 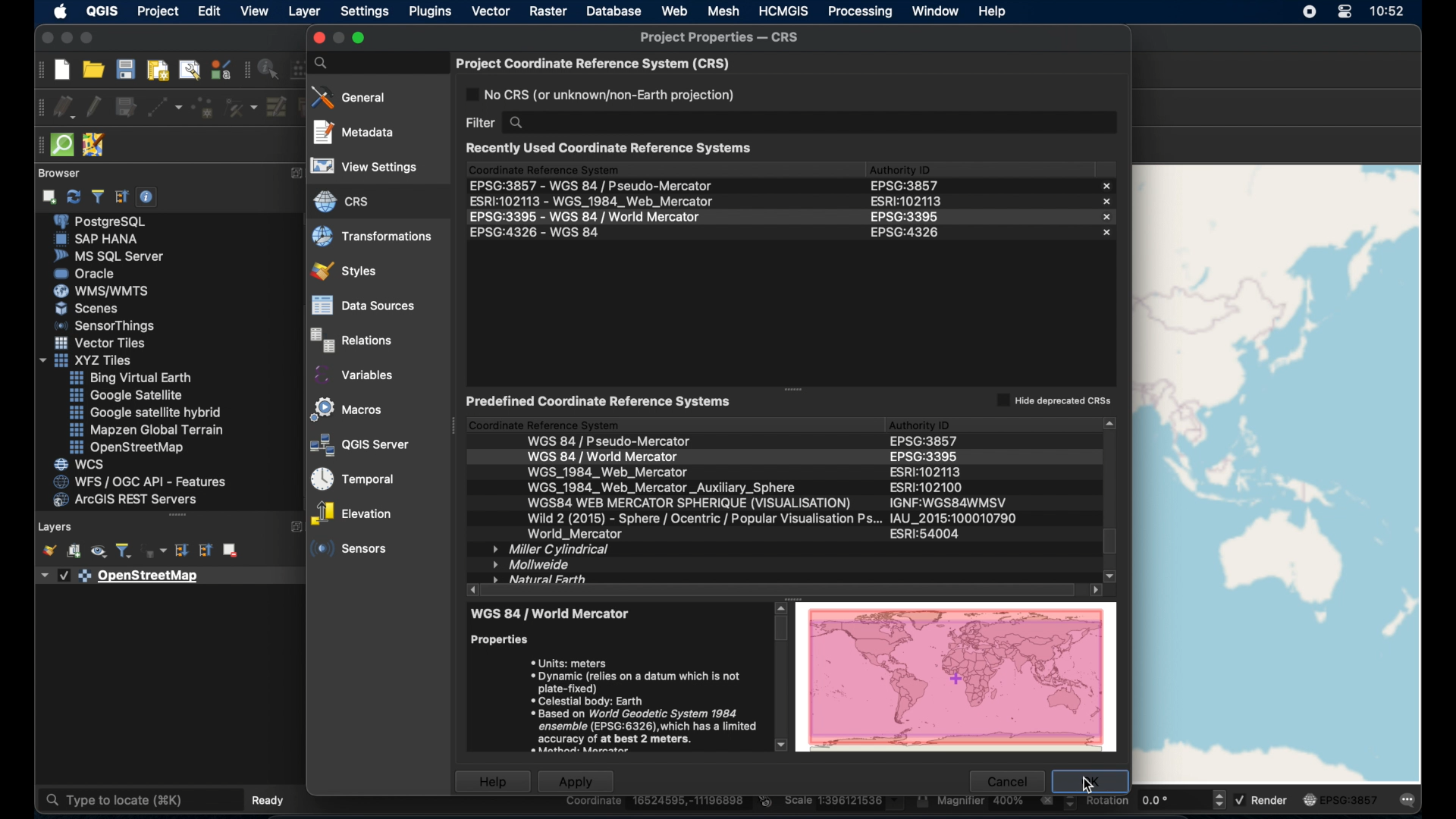 I want to click on render, so click(x=1262, y=799).